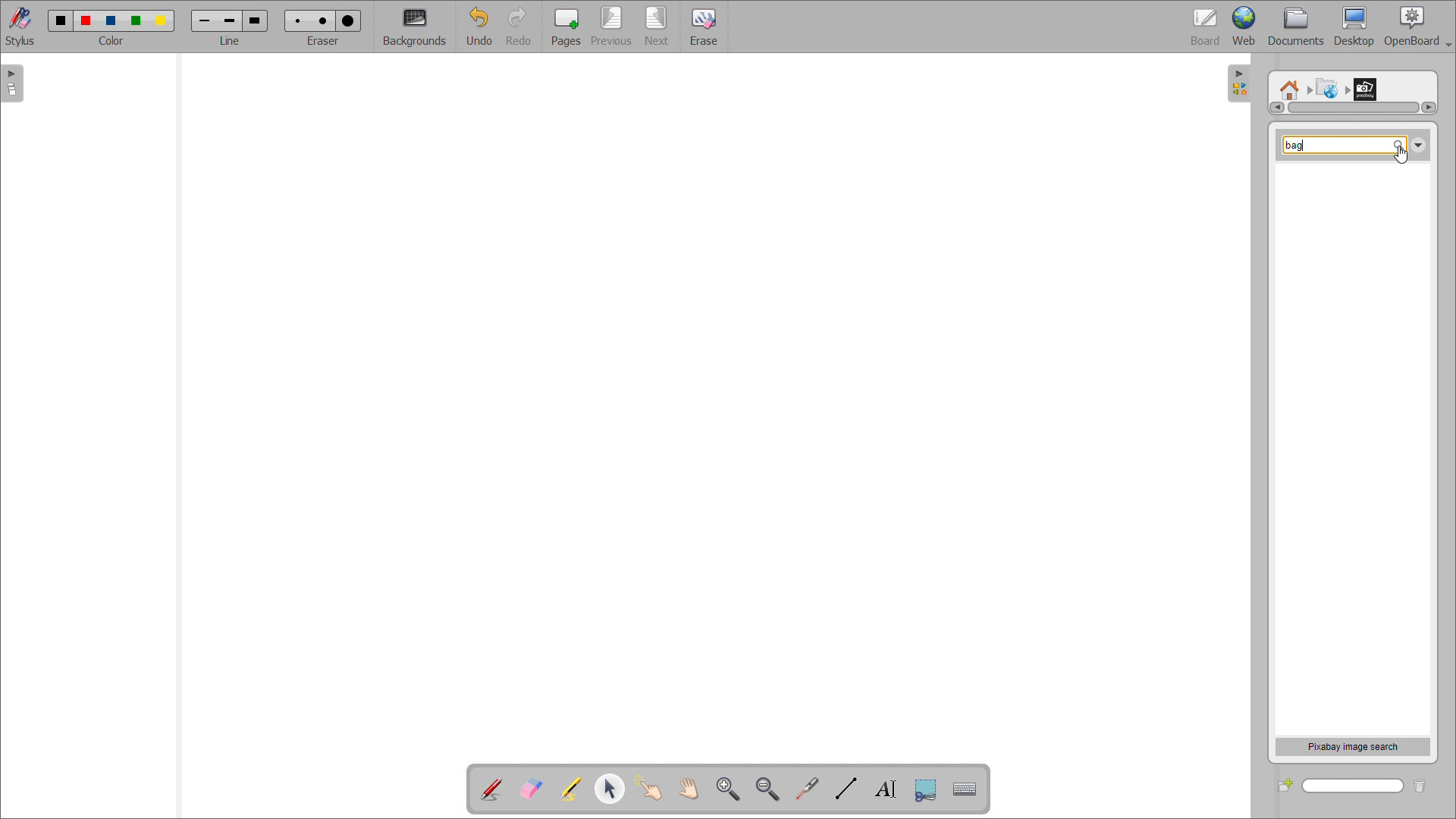 This screenshot has width=1456, height=819. I want to click on open page view, so click(12, 83).